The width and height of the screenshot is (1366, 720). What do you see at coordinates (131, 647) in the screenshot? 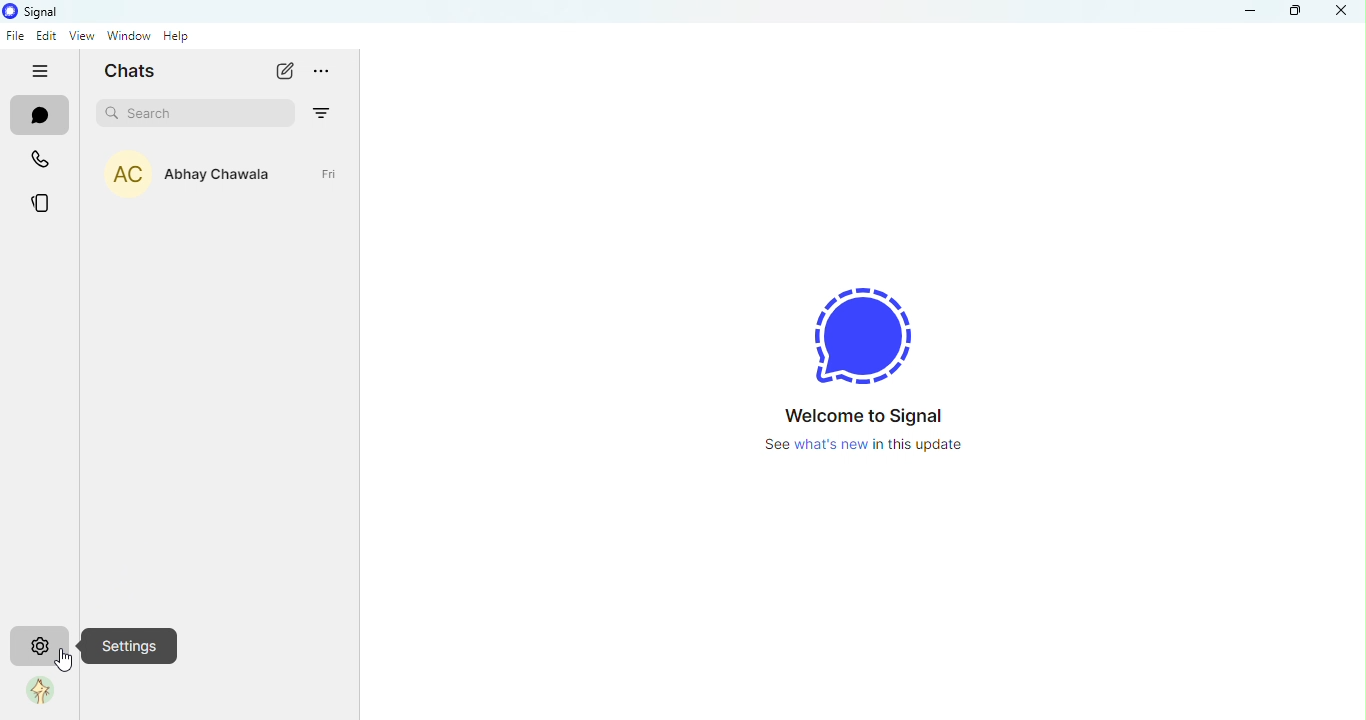
I see `settings` at bounding box center [131, 647].